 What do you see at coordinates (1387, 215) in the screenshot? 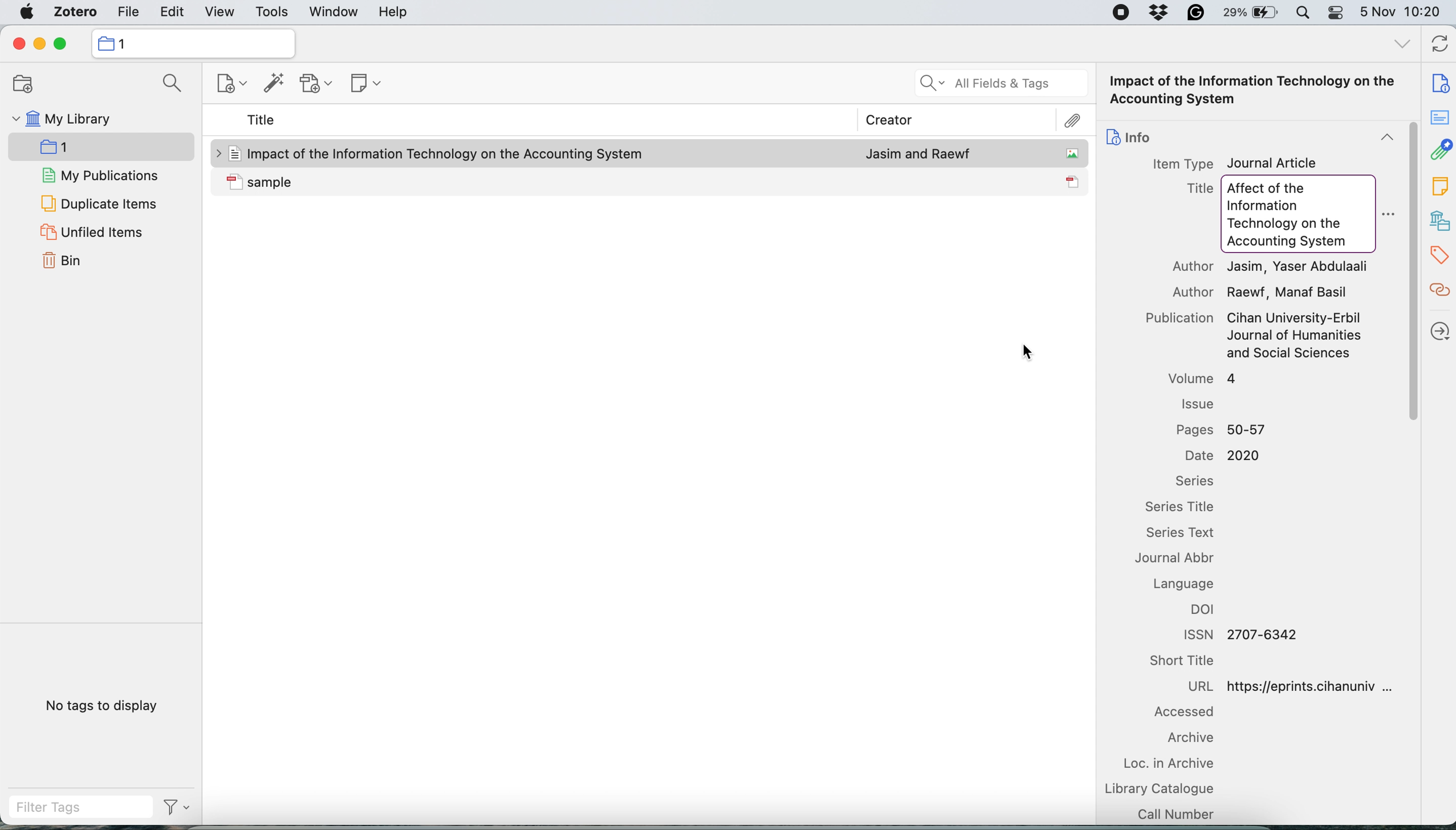
I see `more options` at bounding box center [1387, 215].